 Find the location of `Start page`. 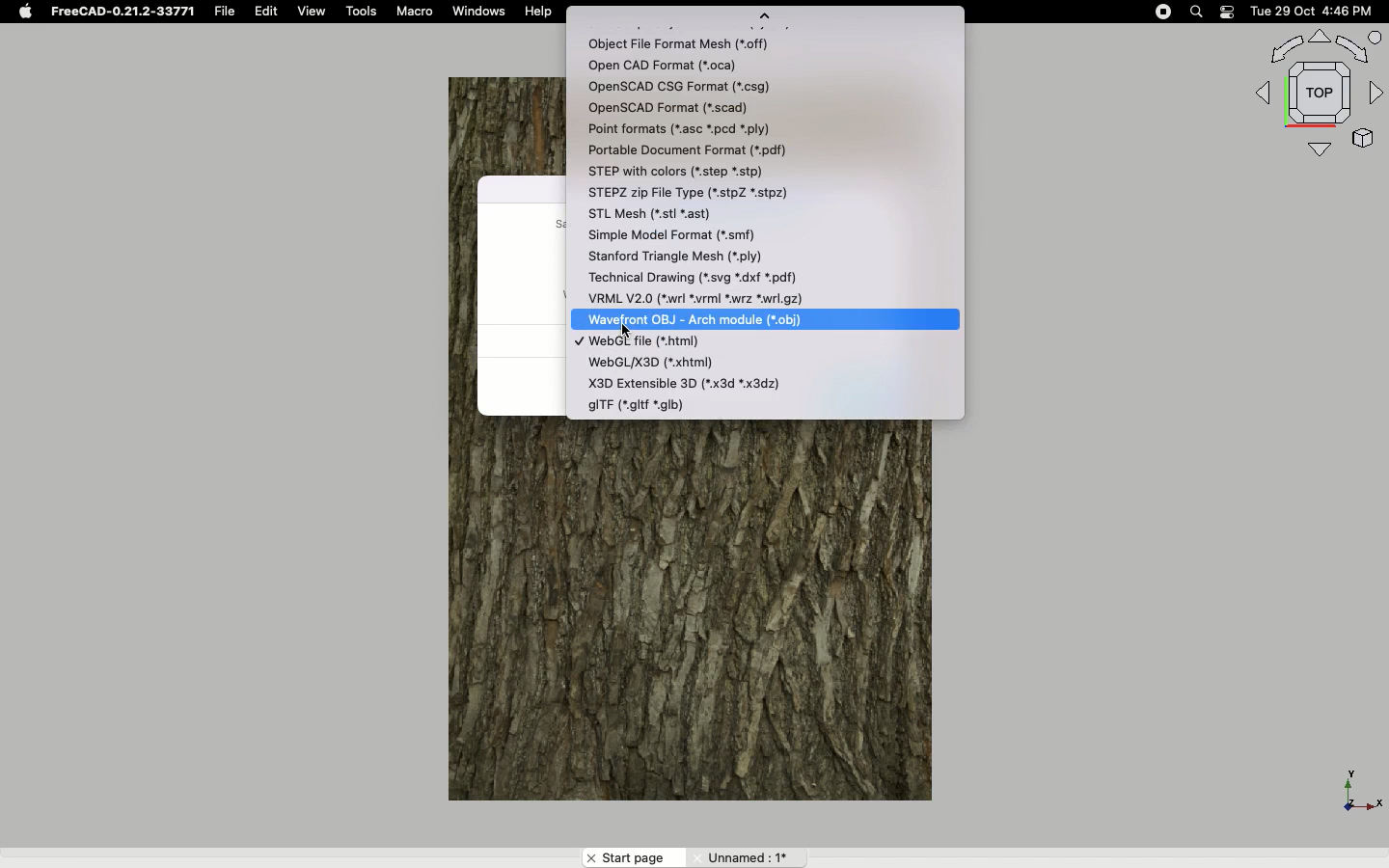

Start page is located at coordinates (635, 857).